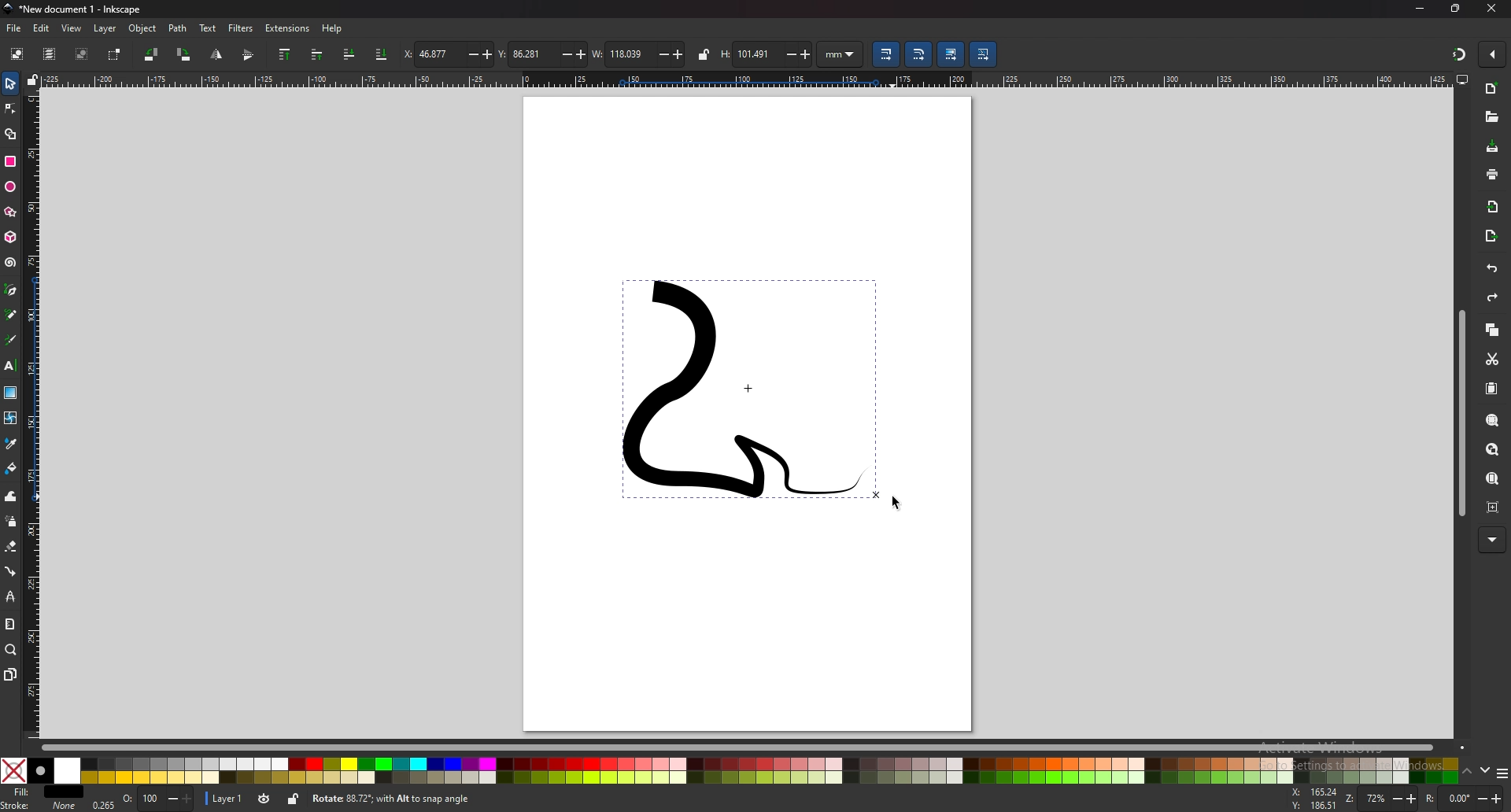 This screenshot has height=812, width=1511. I want to click on raise selection to top, so click(286, 54).